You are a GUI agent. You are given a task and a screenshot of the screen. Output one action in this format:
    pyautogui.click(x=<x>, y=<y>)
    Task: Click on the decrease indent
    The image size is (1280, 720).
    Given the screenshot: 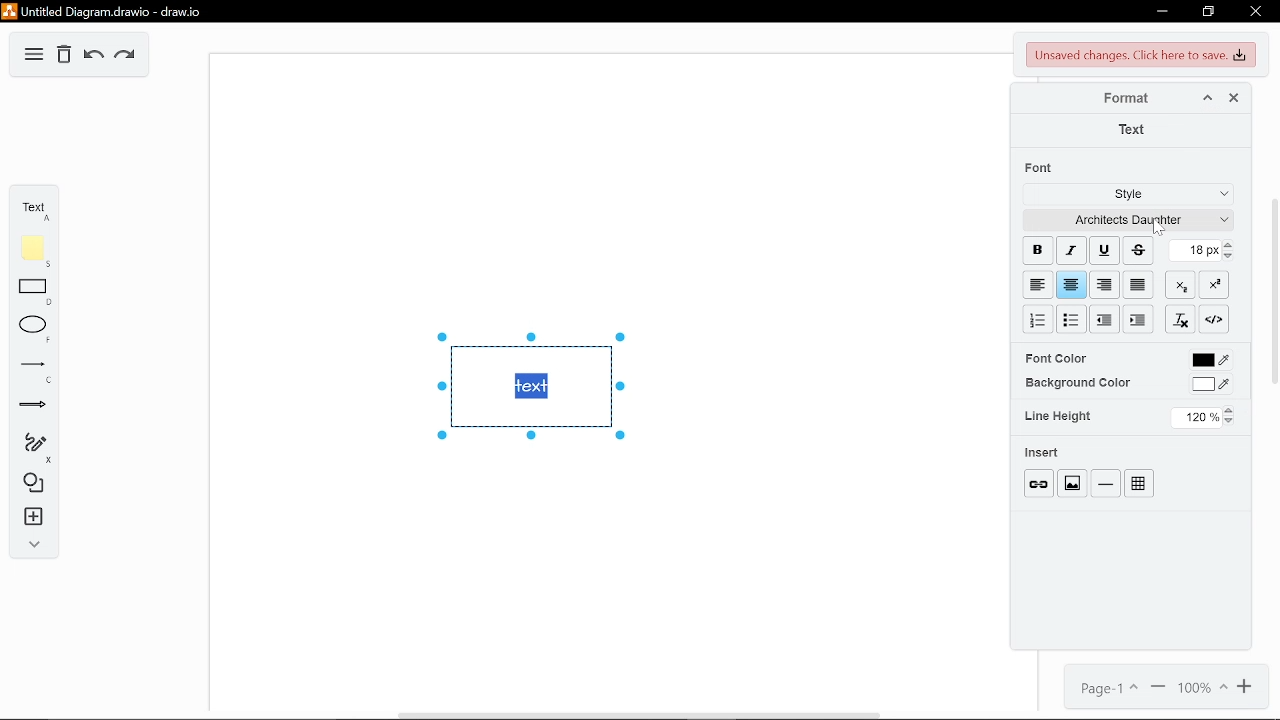 What is the action you would take?
    pyautogui.click(x=1138, y=320)
    